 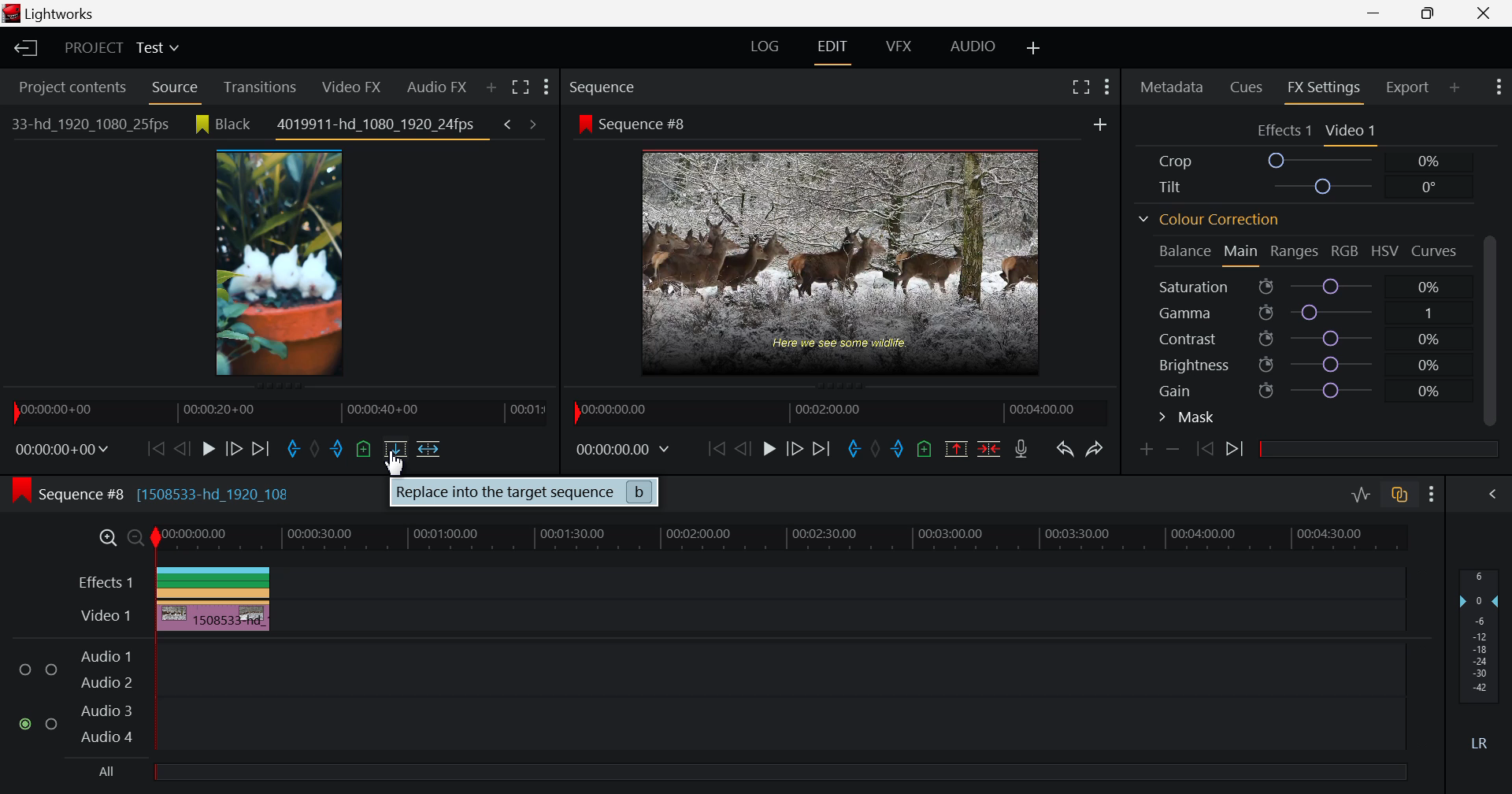 What do you see at coordinates (153, 447) in the screenshot?
I see `To Start` at bounding box center [153, 447].